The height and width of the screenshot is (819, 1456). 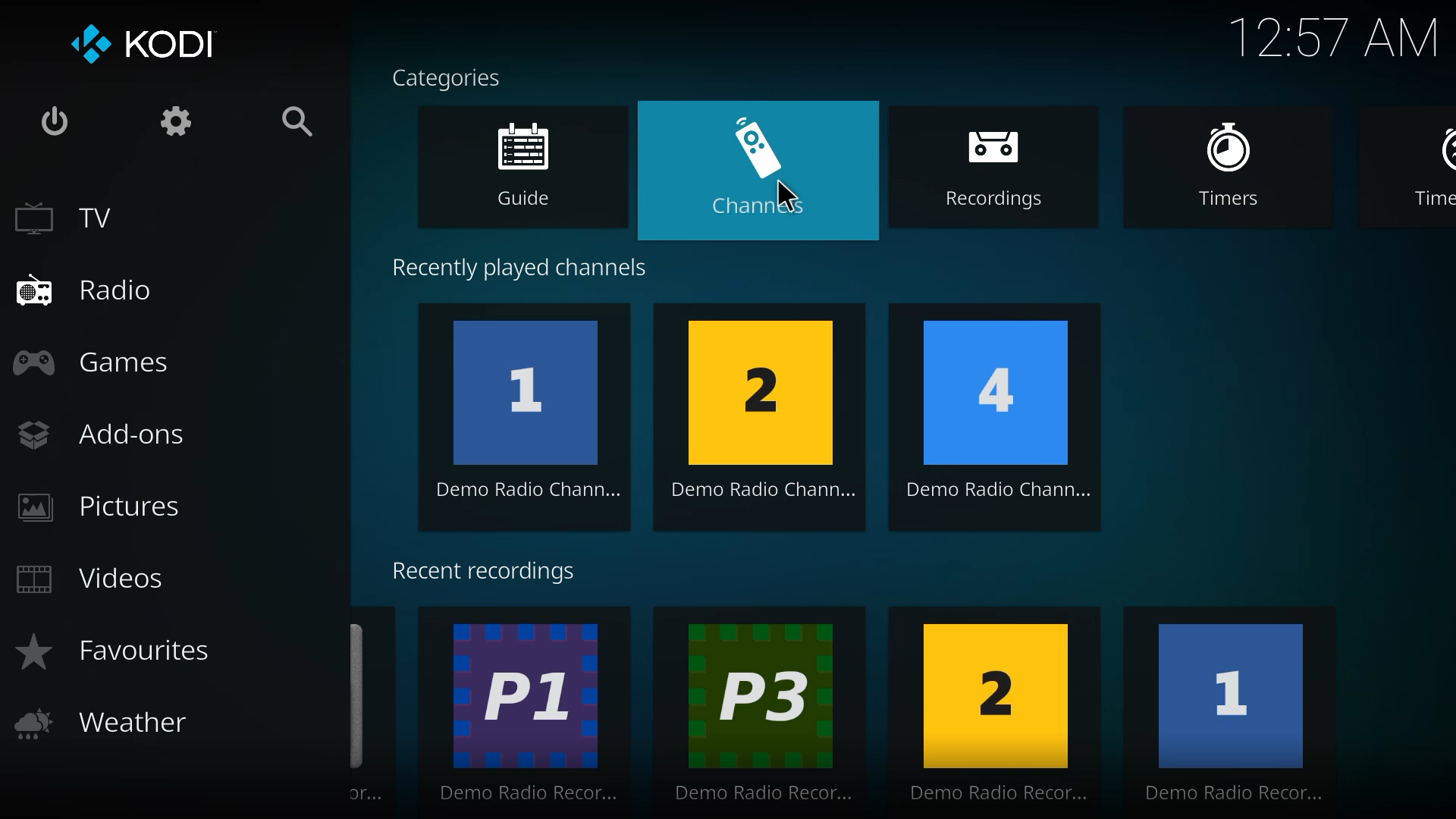 What do you see at coordinates (789, 195) in the screenshot?
I see `cursor` at bounding box center [789, 195].